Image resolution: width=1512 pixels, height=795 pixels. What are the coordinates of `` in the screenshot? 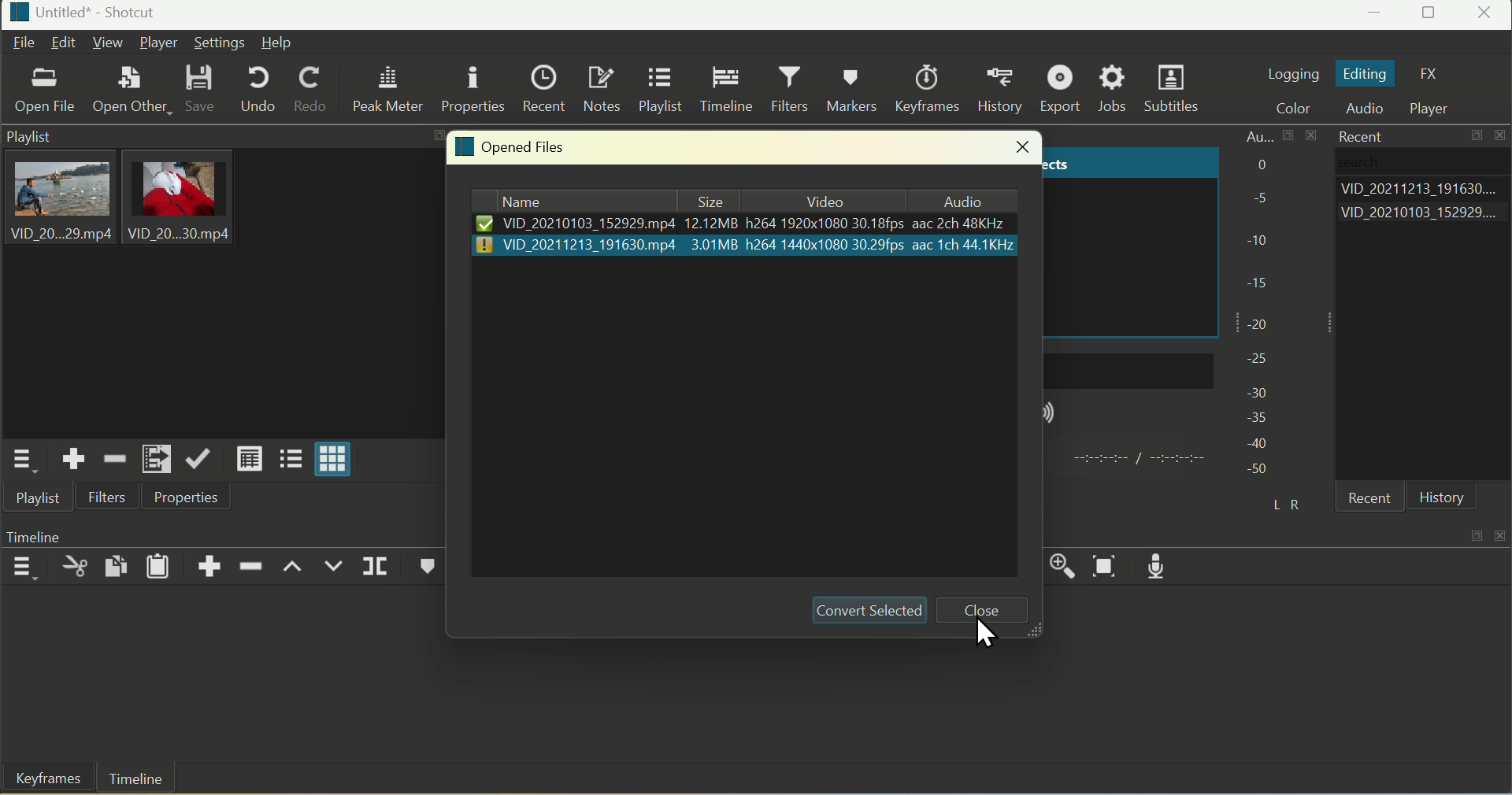 It's located at (1432, 74).